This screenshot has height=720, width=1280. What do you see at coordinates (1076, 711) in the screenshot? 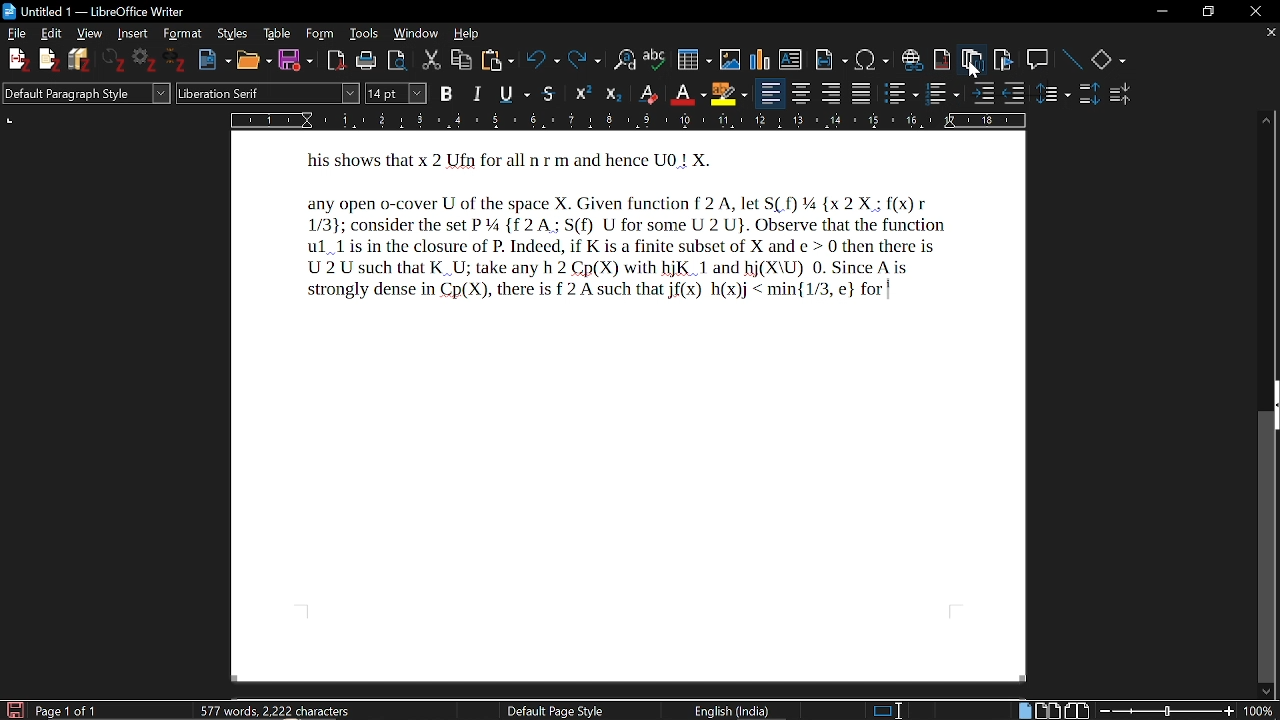
I see `Book view` at bounding box center [1076, 711].